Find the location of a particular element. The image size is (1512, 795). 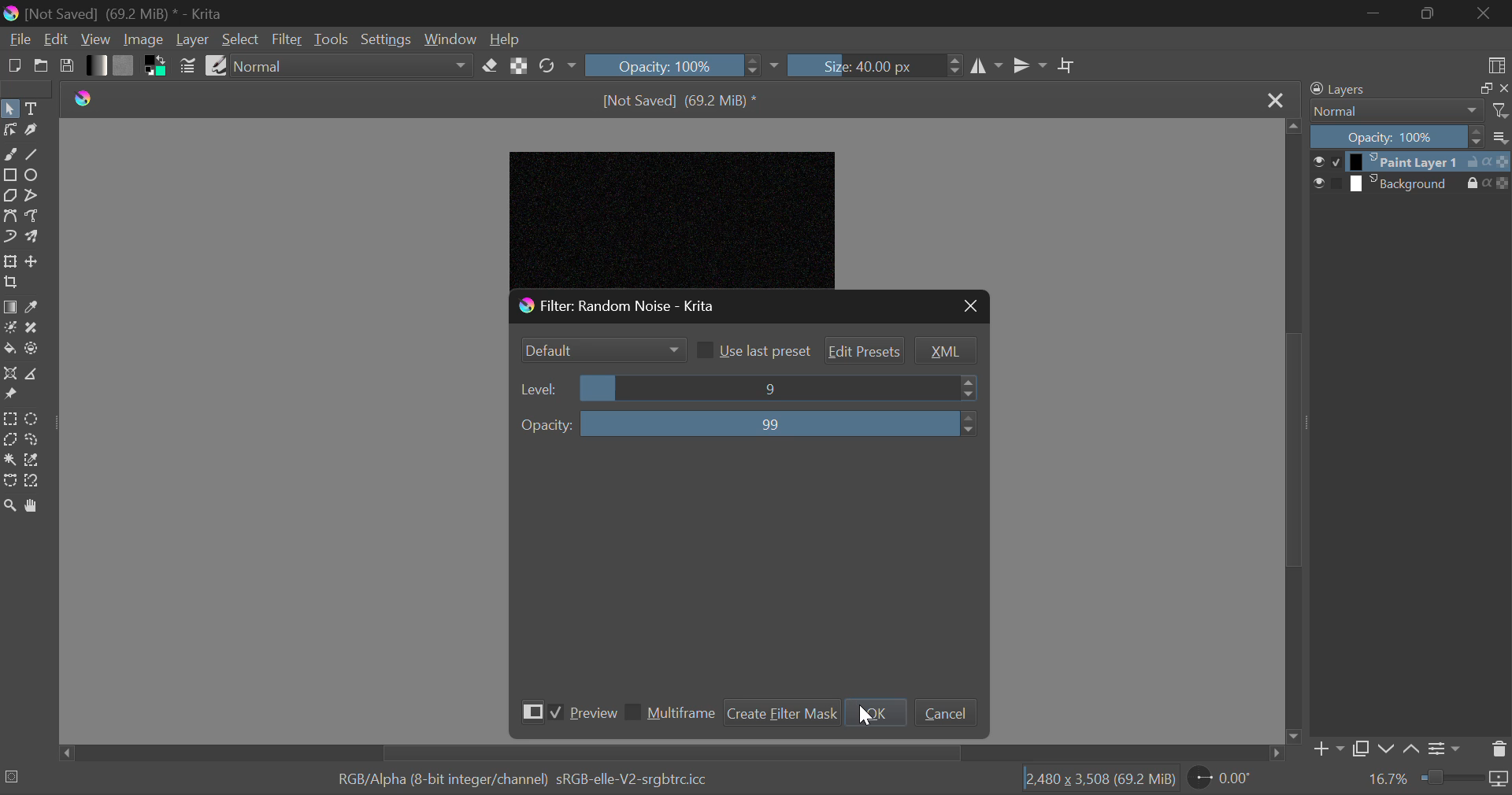

Tools is located at coordinates (332, 38).